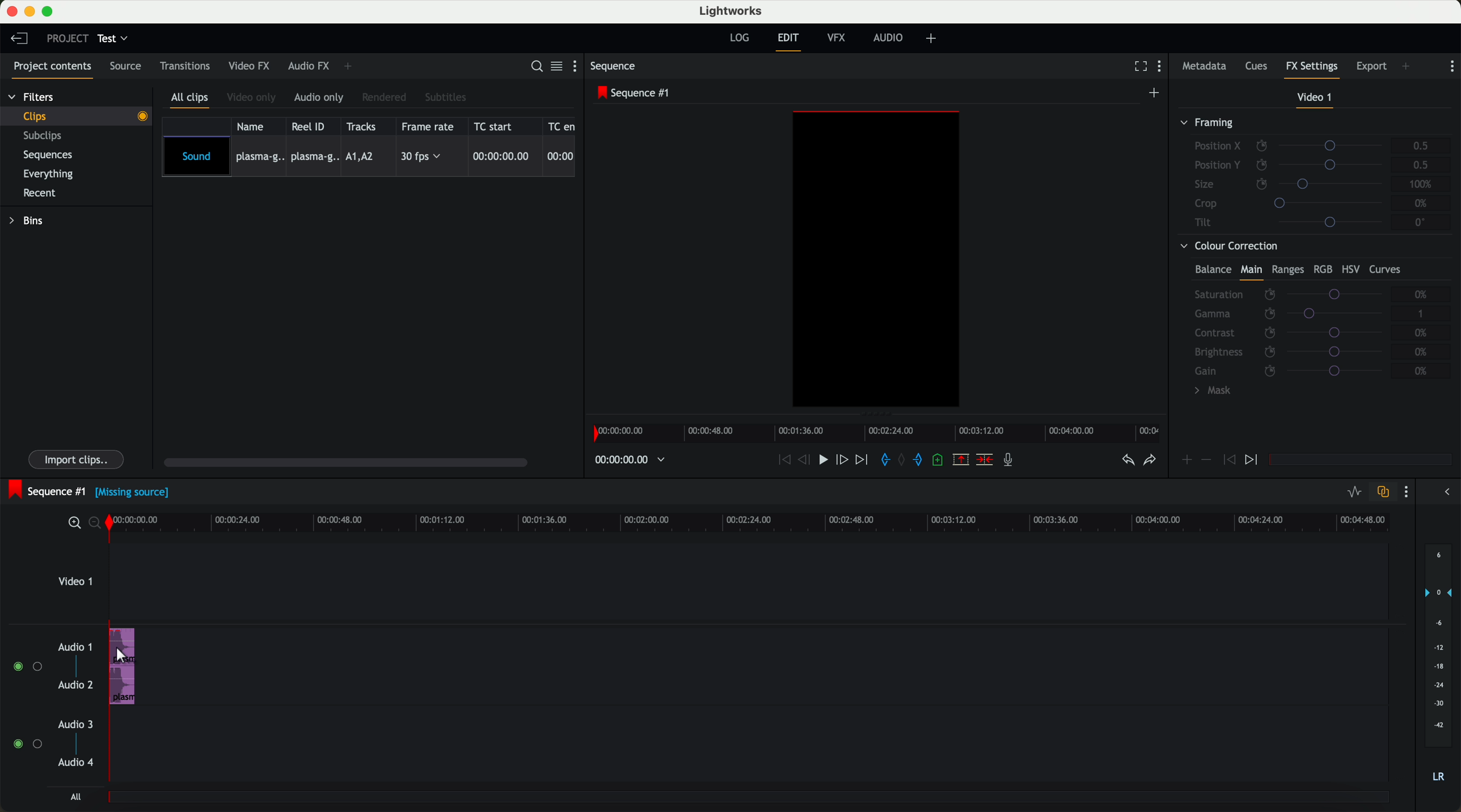 This screenshot has width=1461, height=812. What do you see at coordinates (577, 68) in the screenshot?
I see `show settings menu` at bounding box center [577, 68].